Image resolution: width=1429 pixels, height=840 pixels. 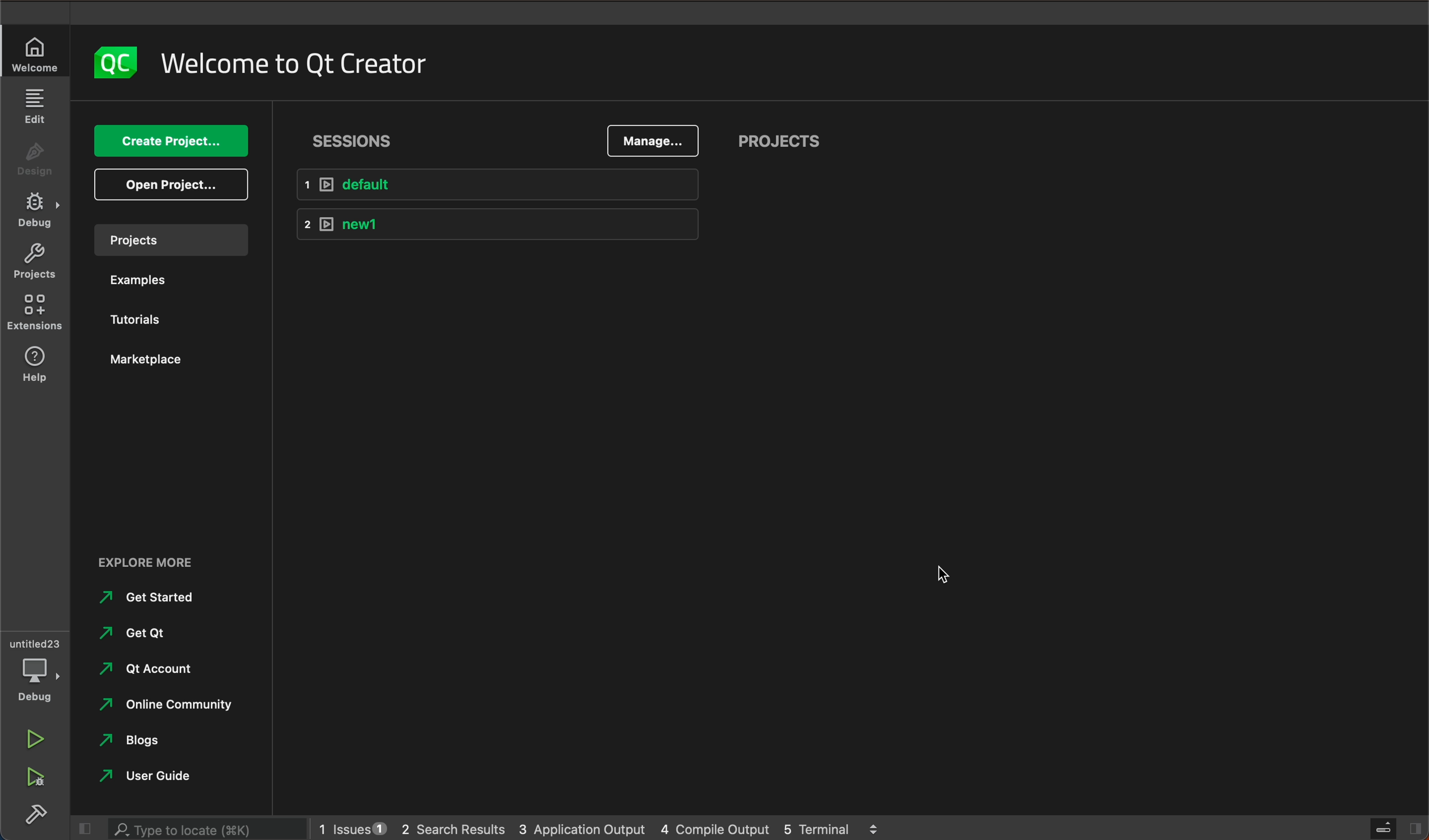 I want to click on close slide bar, so click(x=81, y=829).